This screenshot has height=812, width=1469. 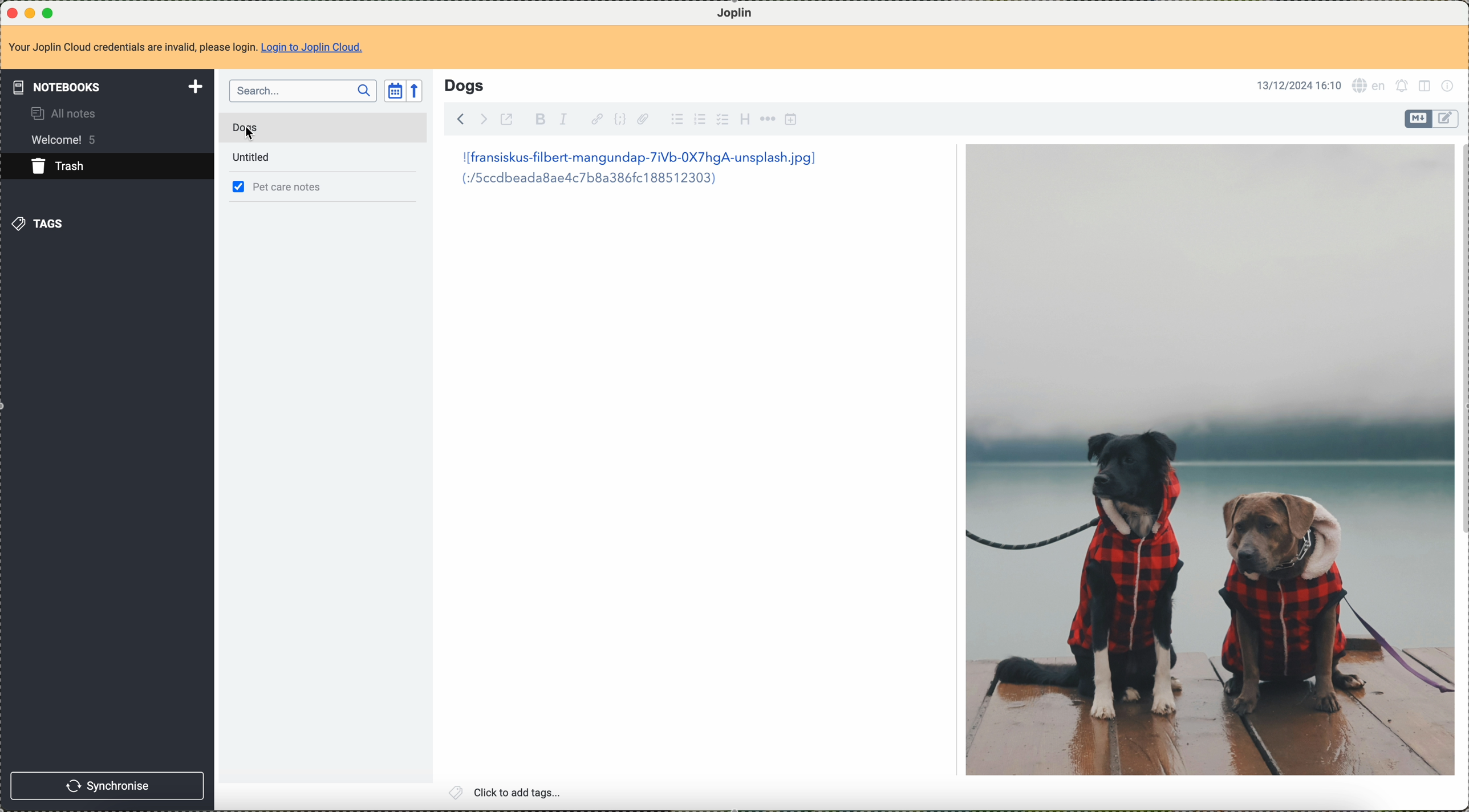 What do you see at coordinates (540, 120) in the screenshot?
I see `bold` at bounding box center [540, 120].